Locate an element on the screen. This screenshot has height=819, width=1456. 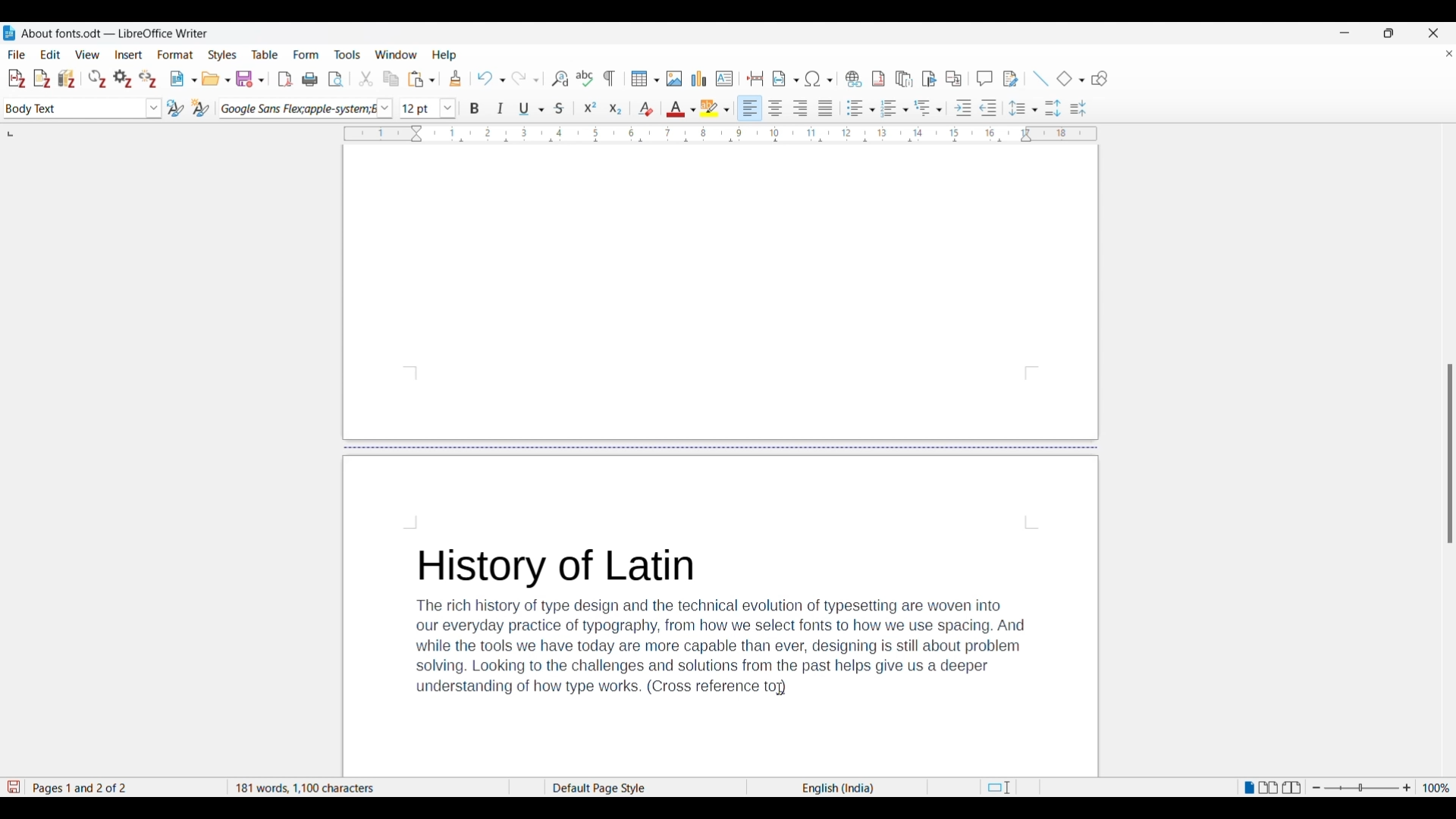
Find and replace is located at coordinates (560, 78).